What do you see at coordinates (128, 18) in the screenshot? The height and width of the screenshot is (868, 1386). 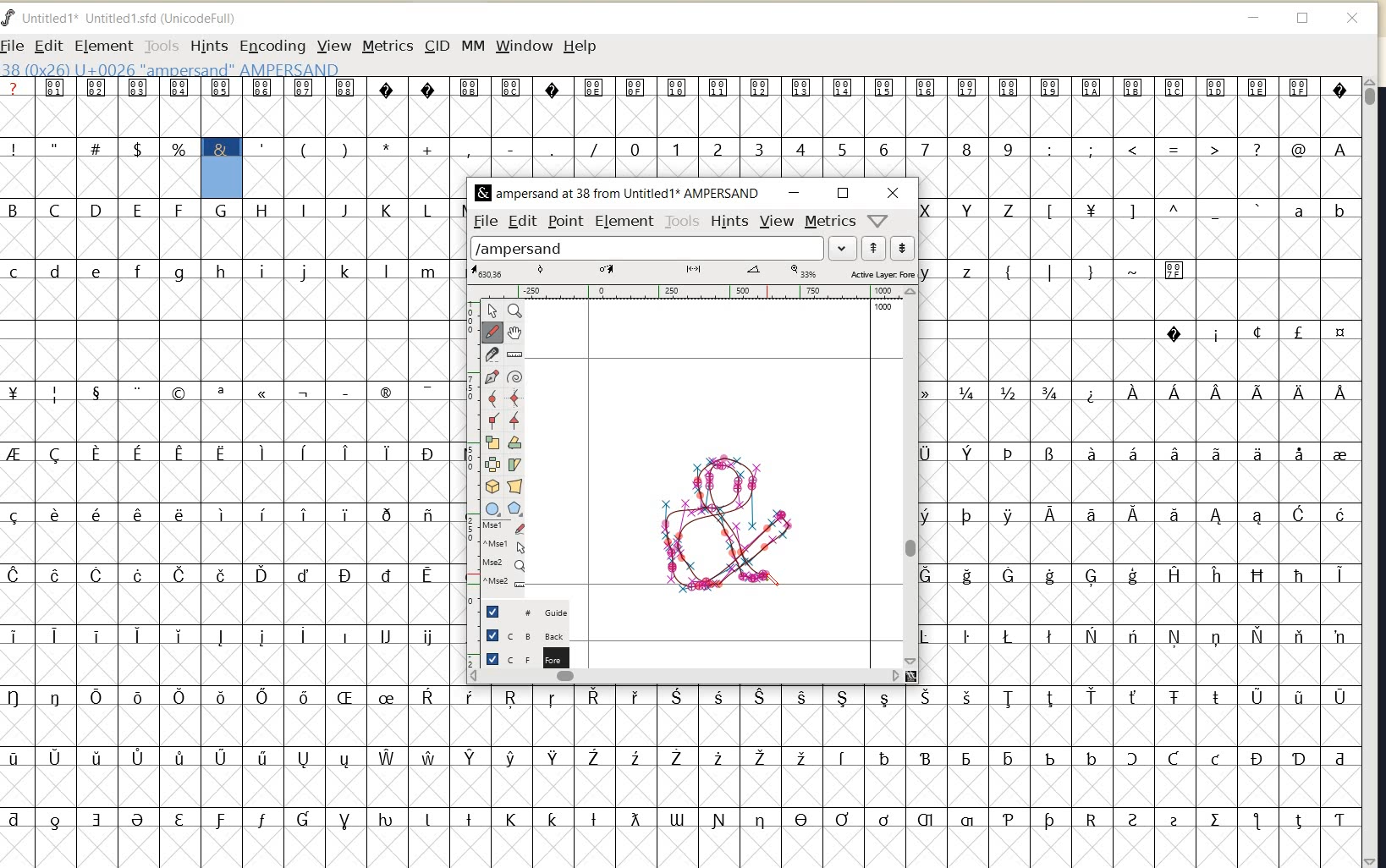 I see `FONT NAME` at bounding box center [128, 18].